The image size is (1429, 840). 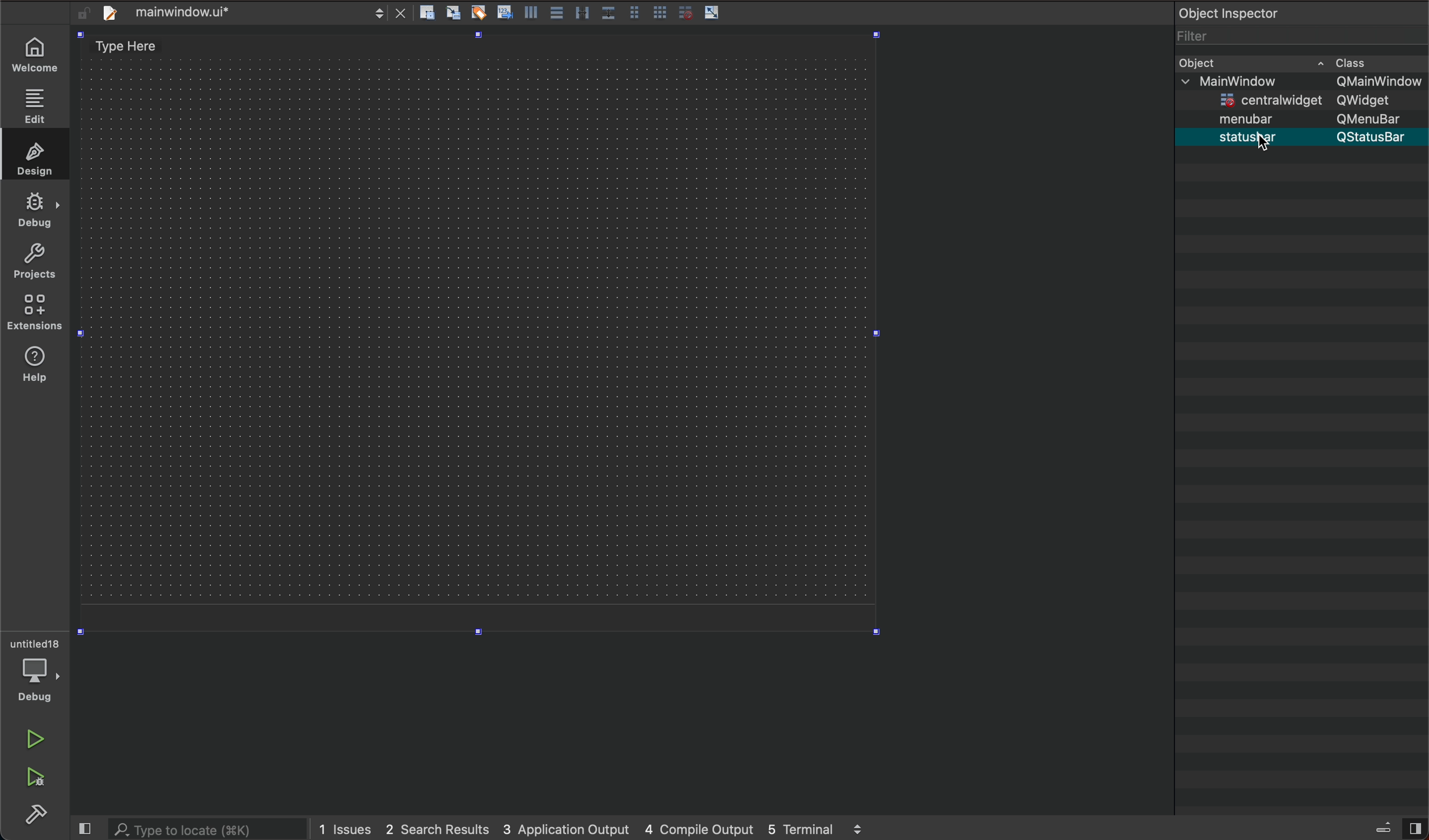 I want to click on close slide bar, so click(x=84, y=826).